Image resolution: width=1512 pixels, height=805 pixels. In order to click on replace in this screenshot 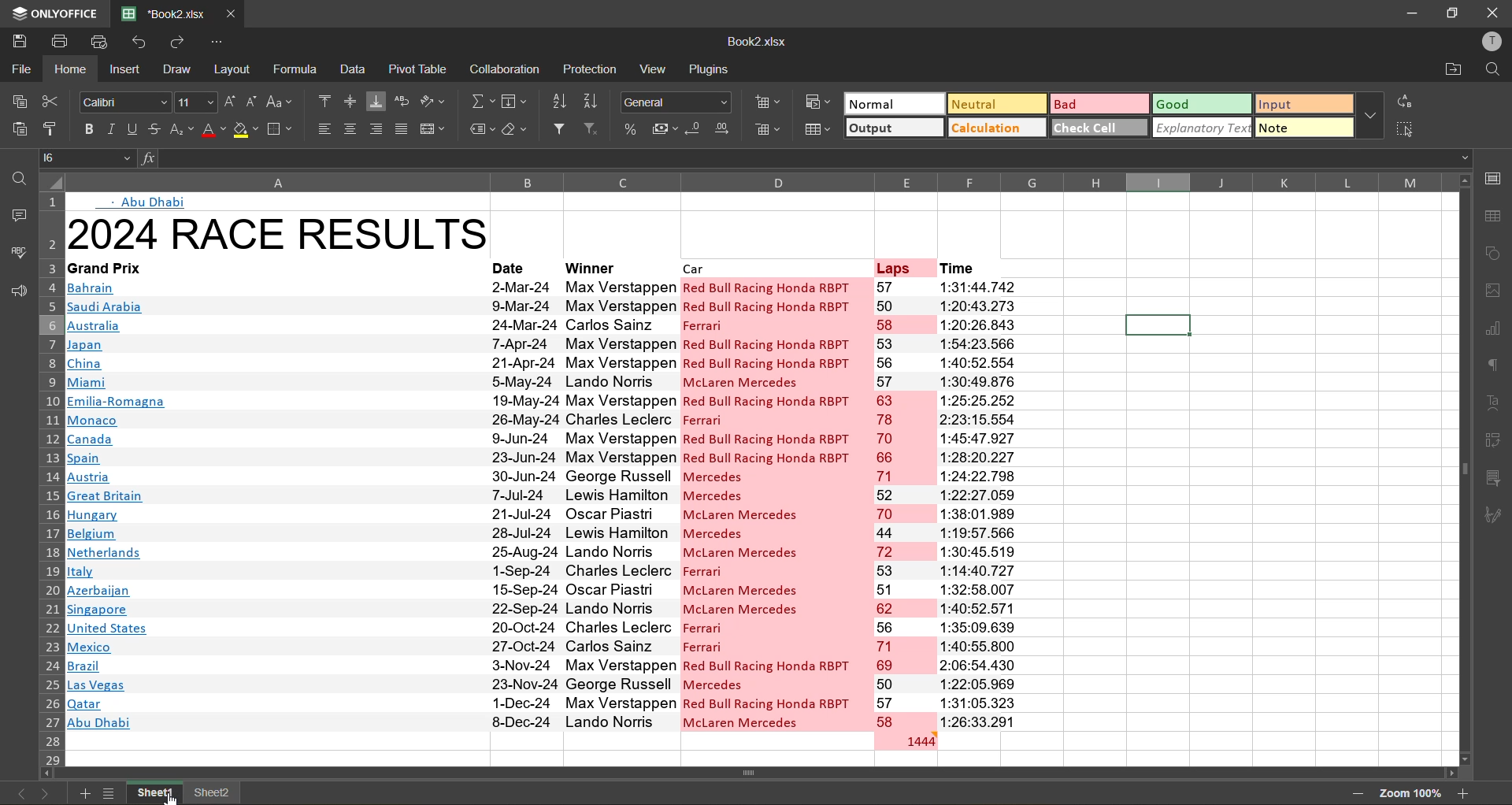, I will do `click(1403, 100)`.